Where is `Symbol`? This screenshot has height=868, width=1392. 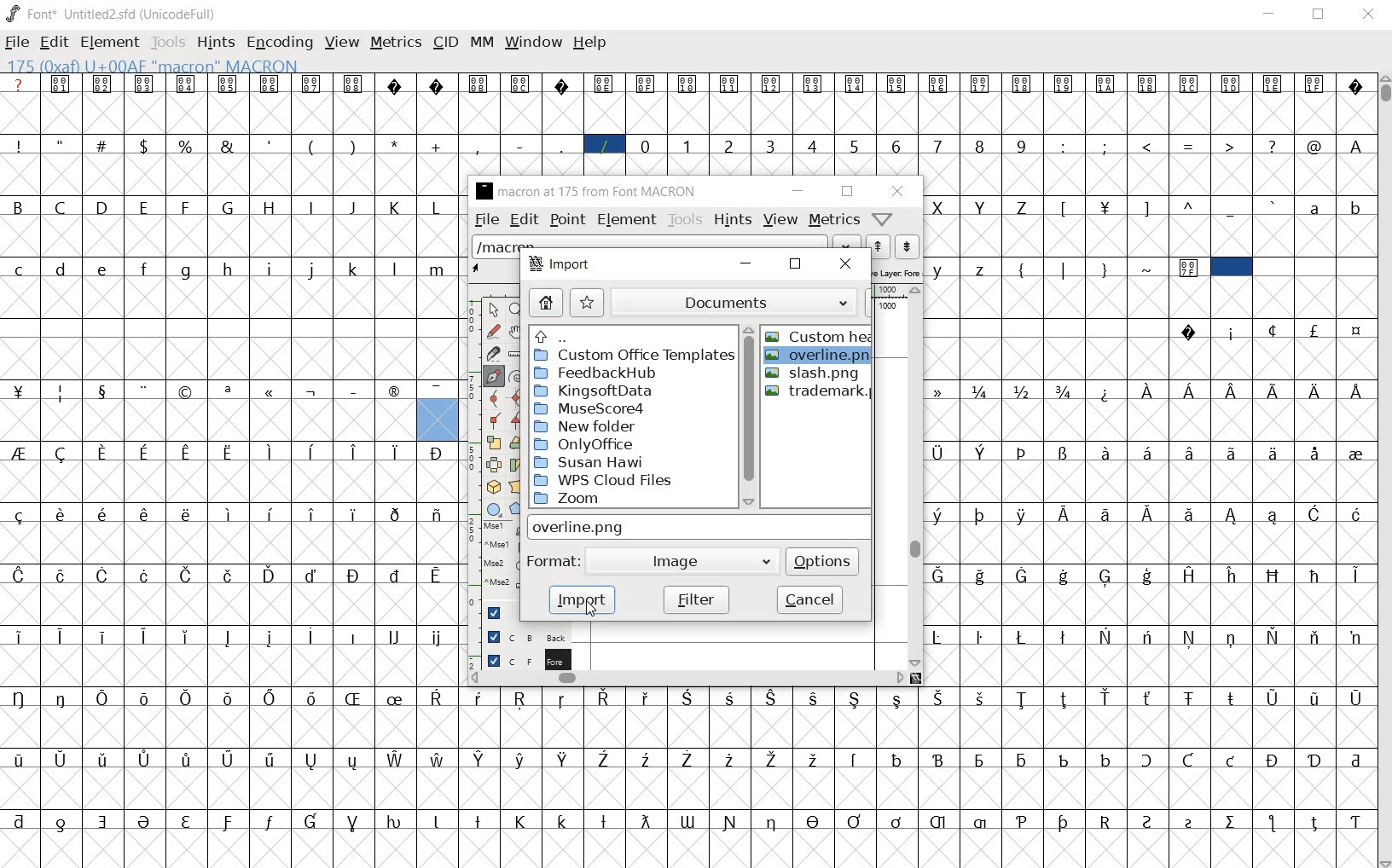
Symbol is located at coordinates (272, 575).